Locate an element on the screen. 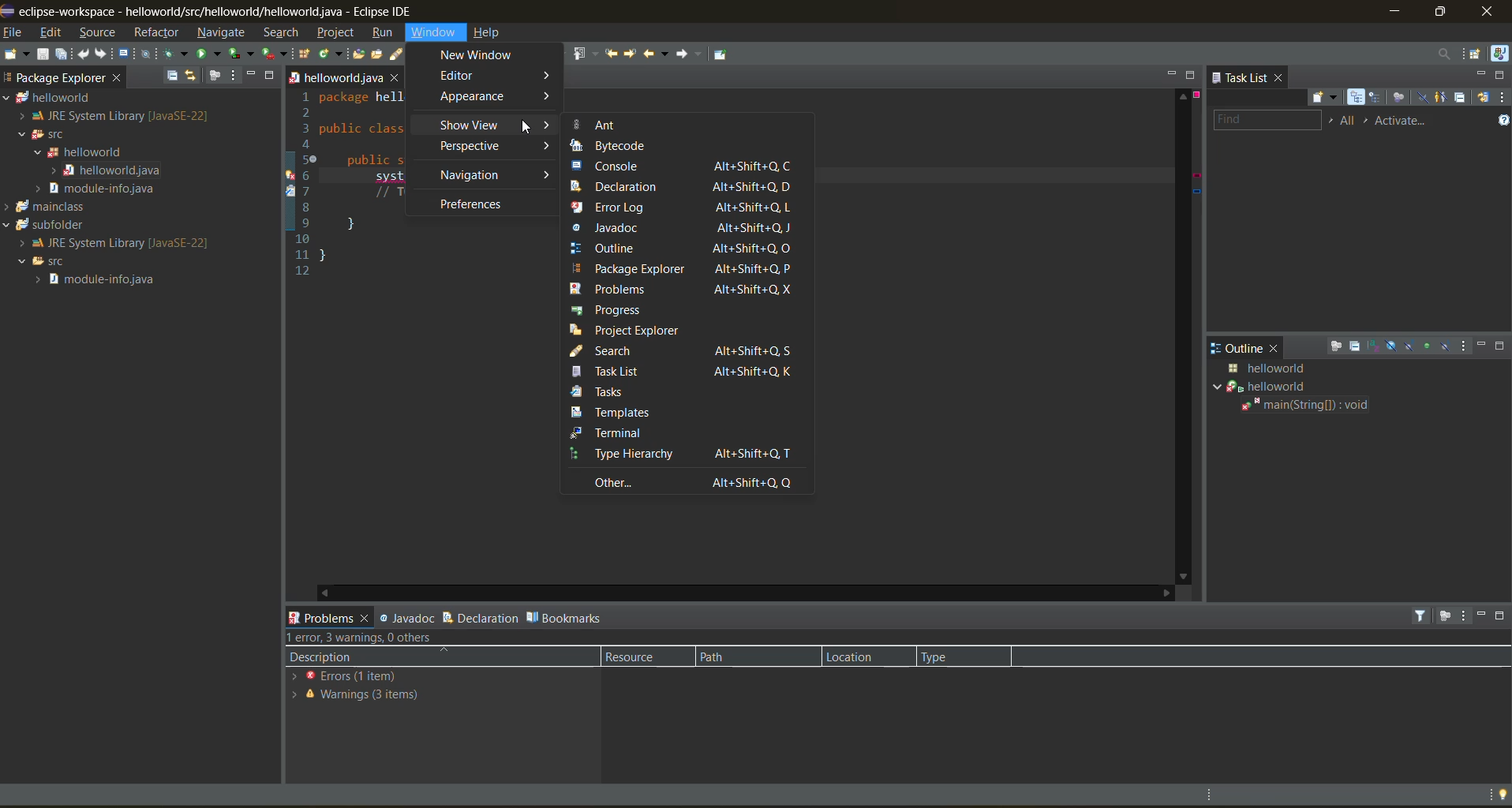 This screenshot has width=1512, height=808. new window is located at coordinates (481, 56).